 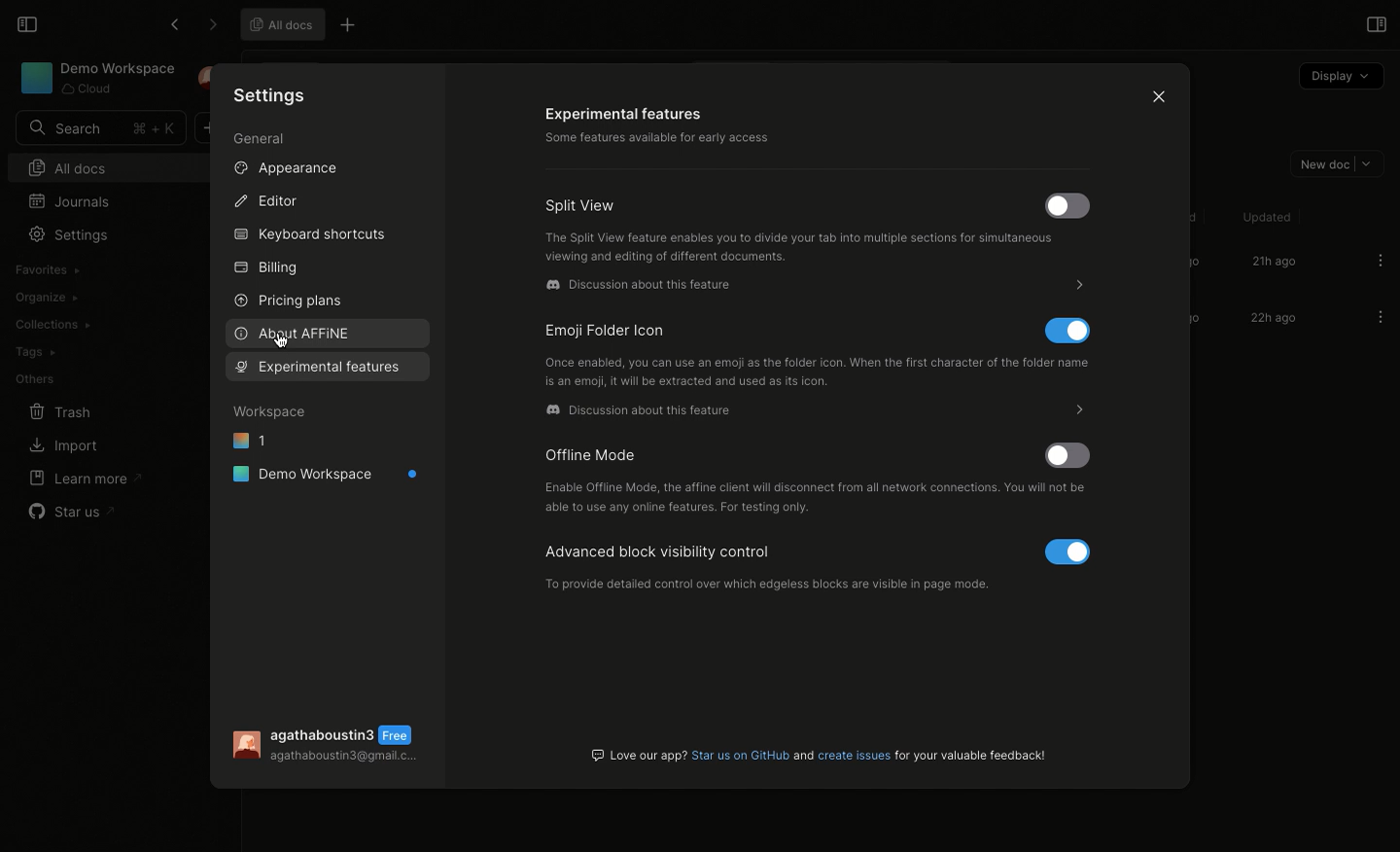 I want to click on Star us, so click(x=74, y=512).